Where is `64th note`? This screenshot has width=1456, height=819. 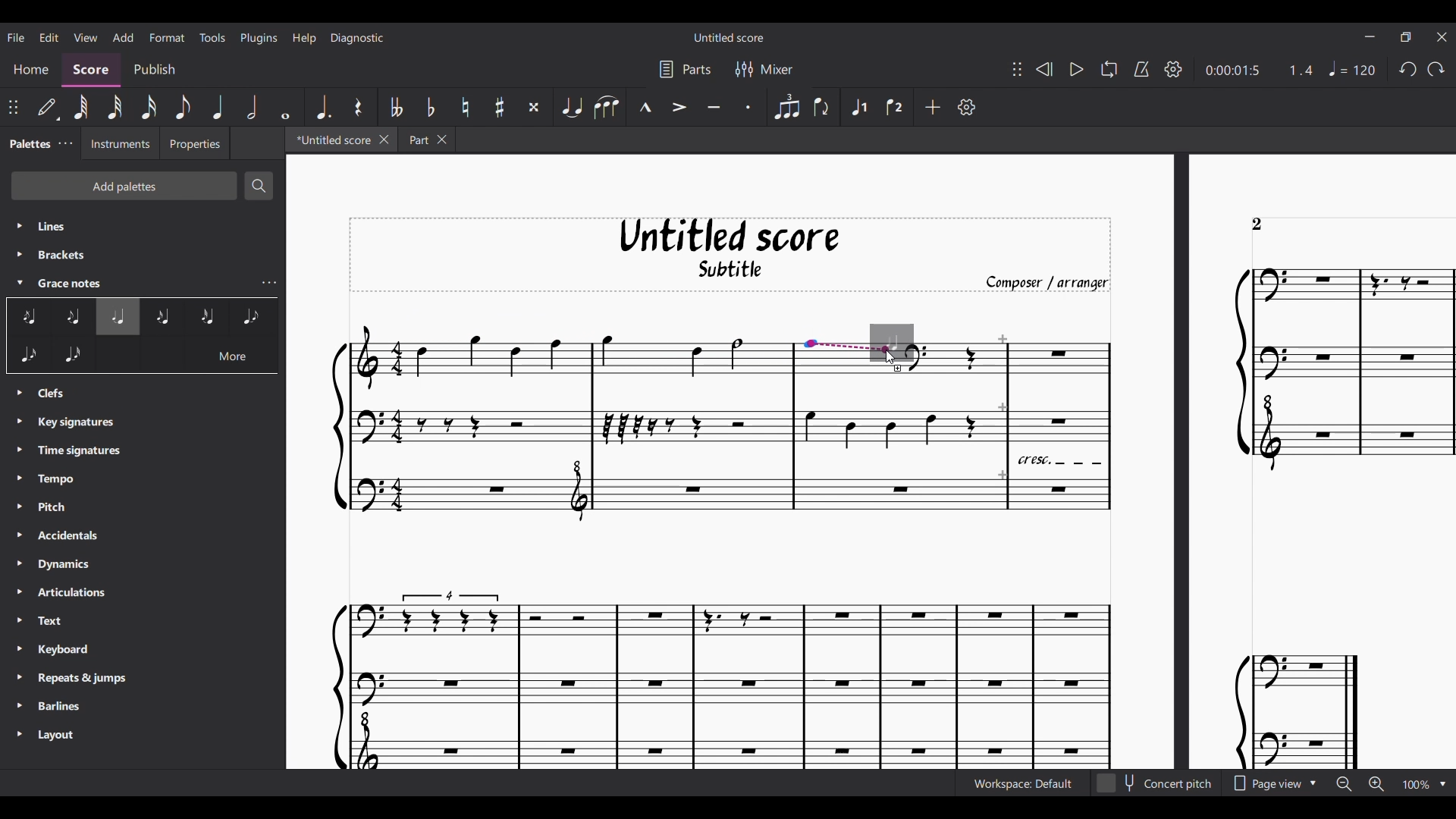 64th note is located at coordinates (80, 108).